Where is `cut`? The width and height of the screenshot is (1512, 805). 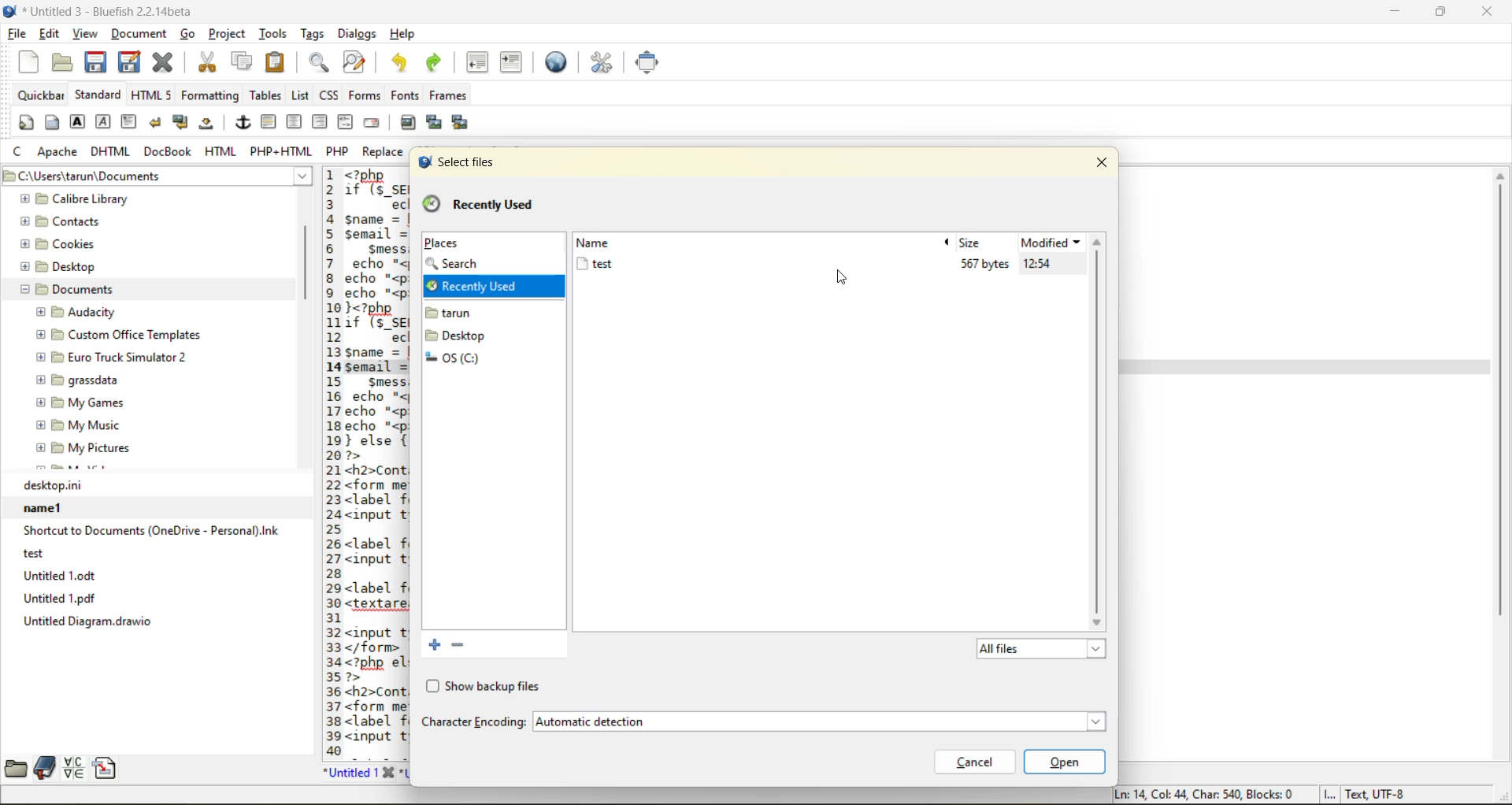
cut is located at coordinates (206, 62).